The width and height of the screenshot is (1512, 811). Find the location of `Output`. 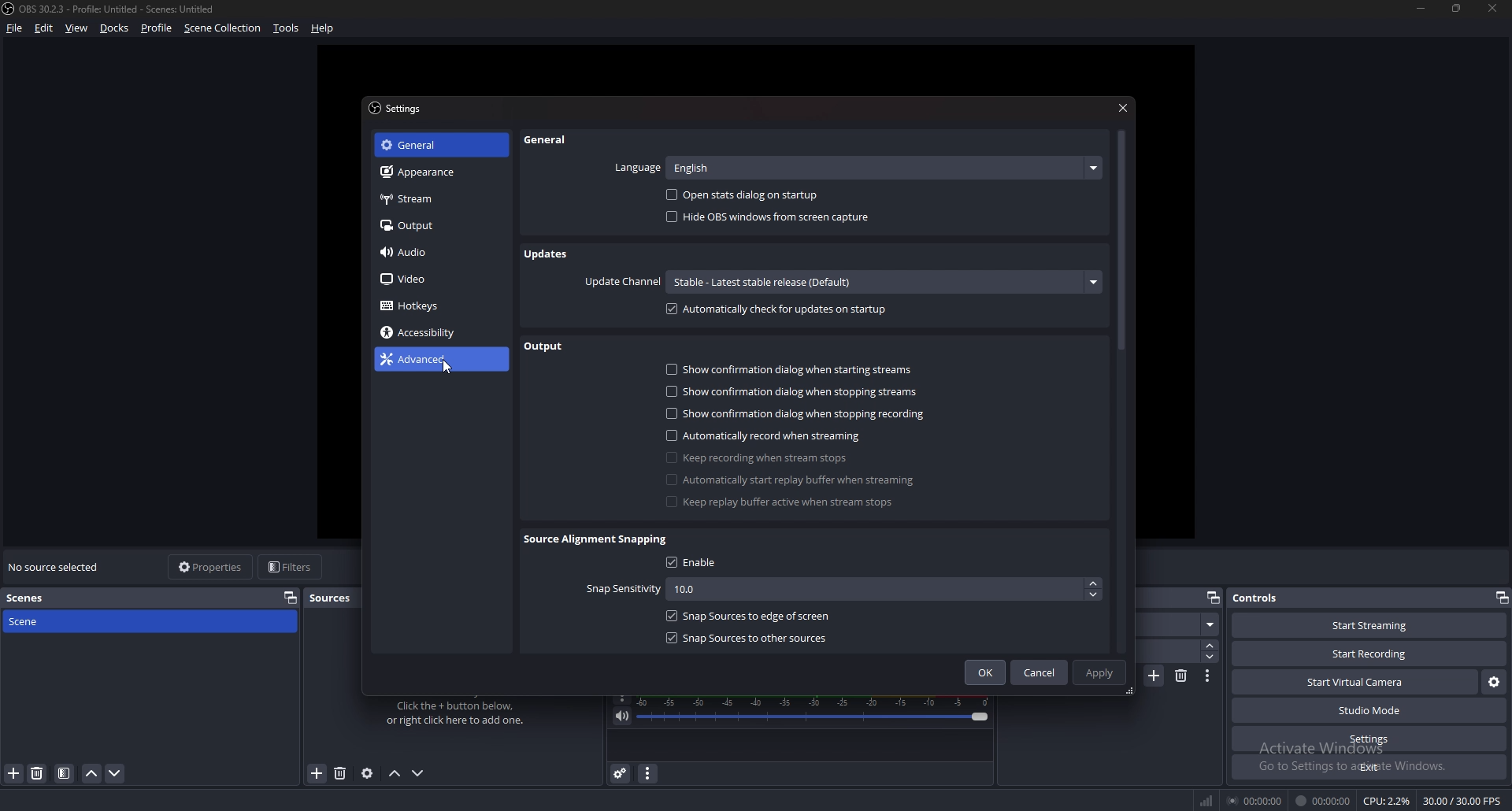

Output is located at coordinates (544, 346).